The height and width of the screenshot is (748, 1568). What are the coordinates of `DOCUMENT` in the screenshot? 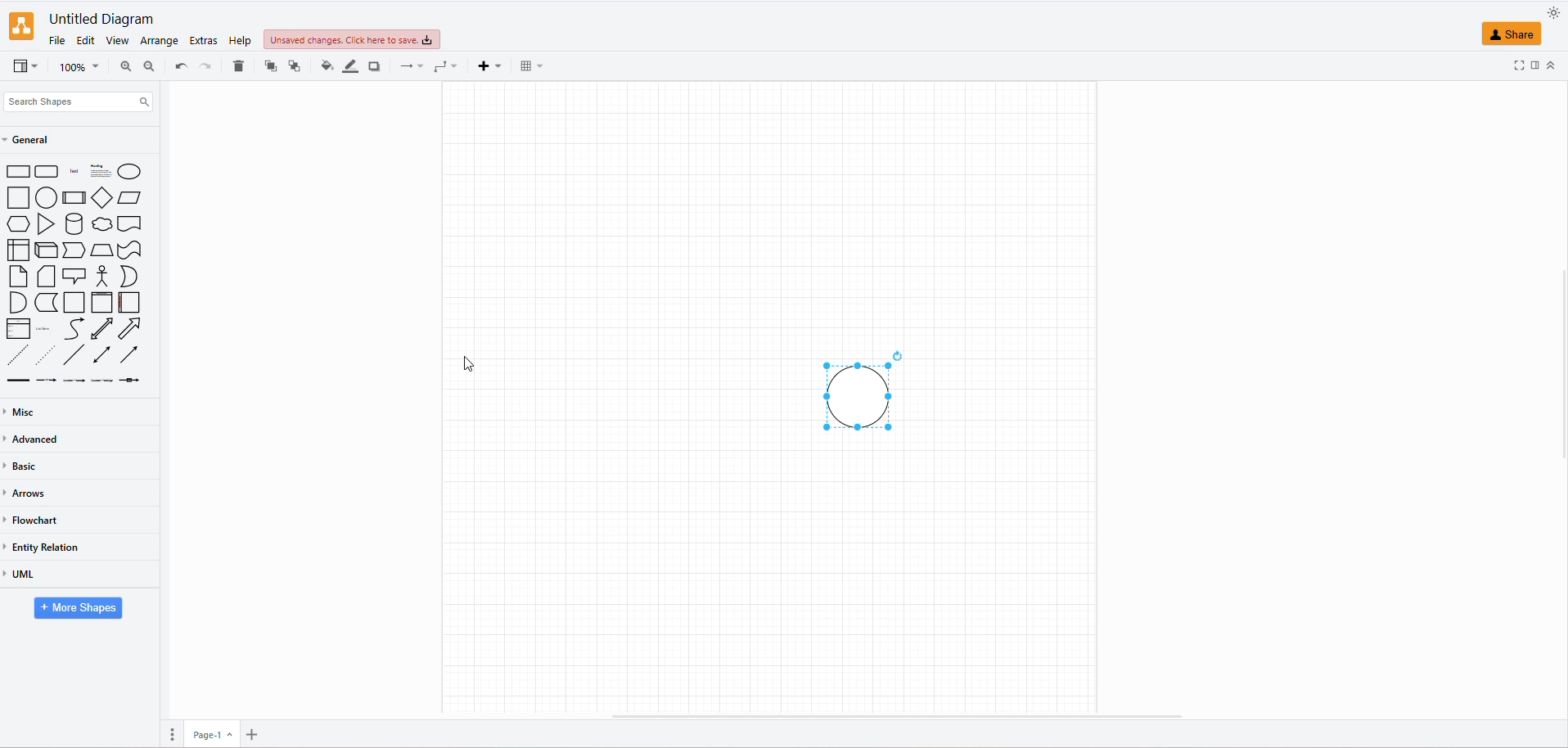 It's located at (129, 223).